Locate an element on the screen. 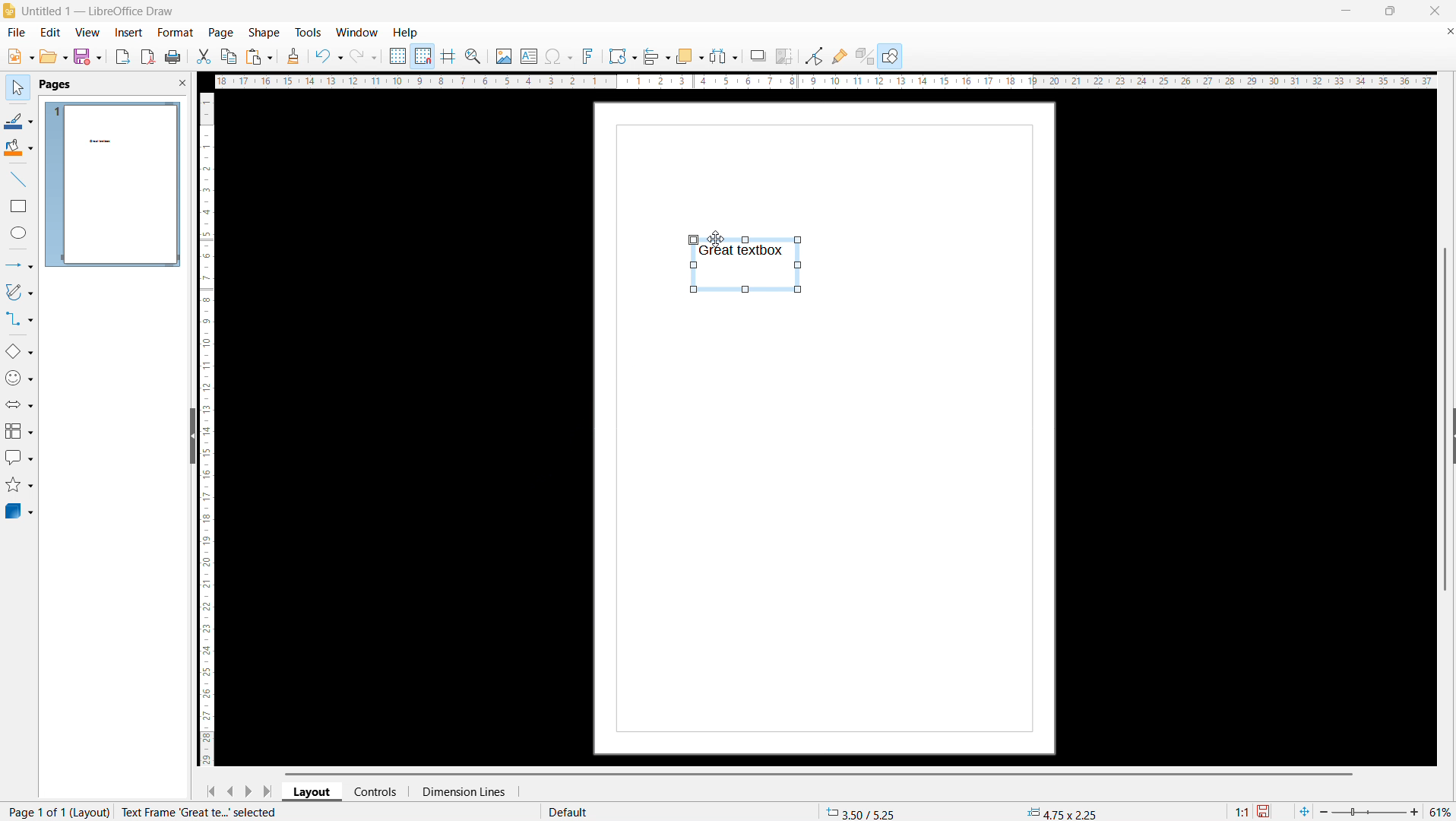 This screenshot has width=1456, height=821. controls is located at coordinates (378, 791).